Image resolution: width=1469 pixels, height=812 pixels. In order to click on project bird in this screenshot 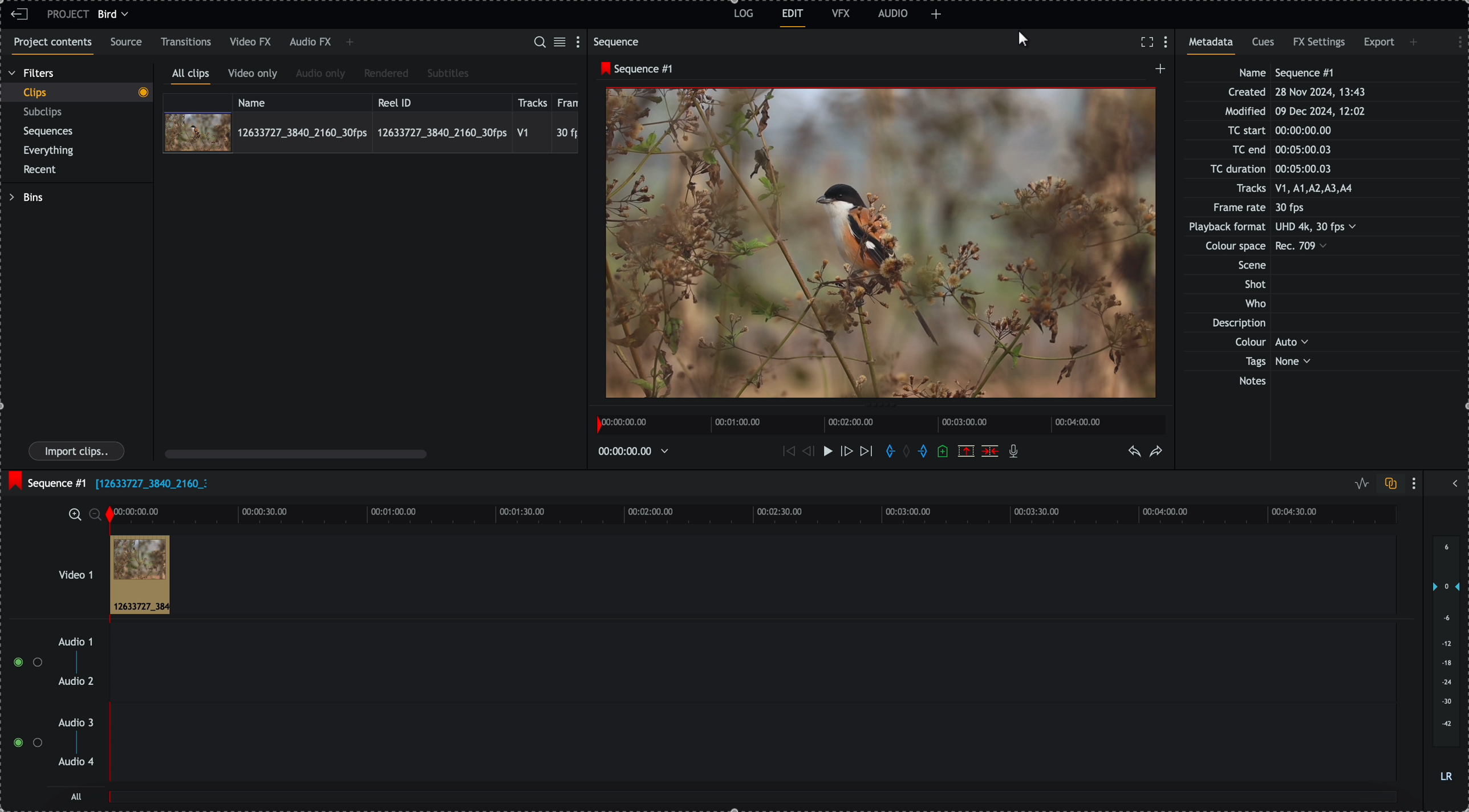, I will do `click(91, 14)`.